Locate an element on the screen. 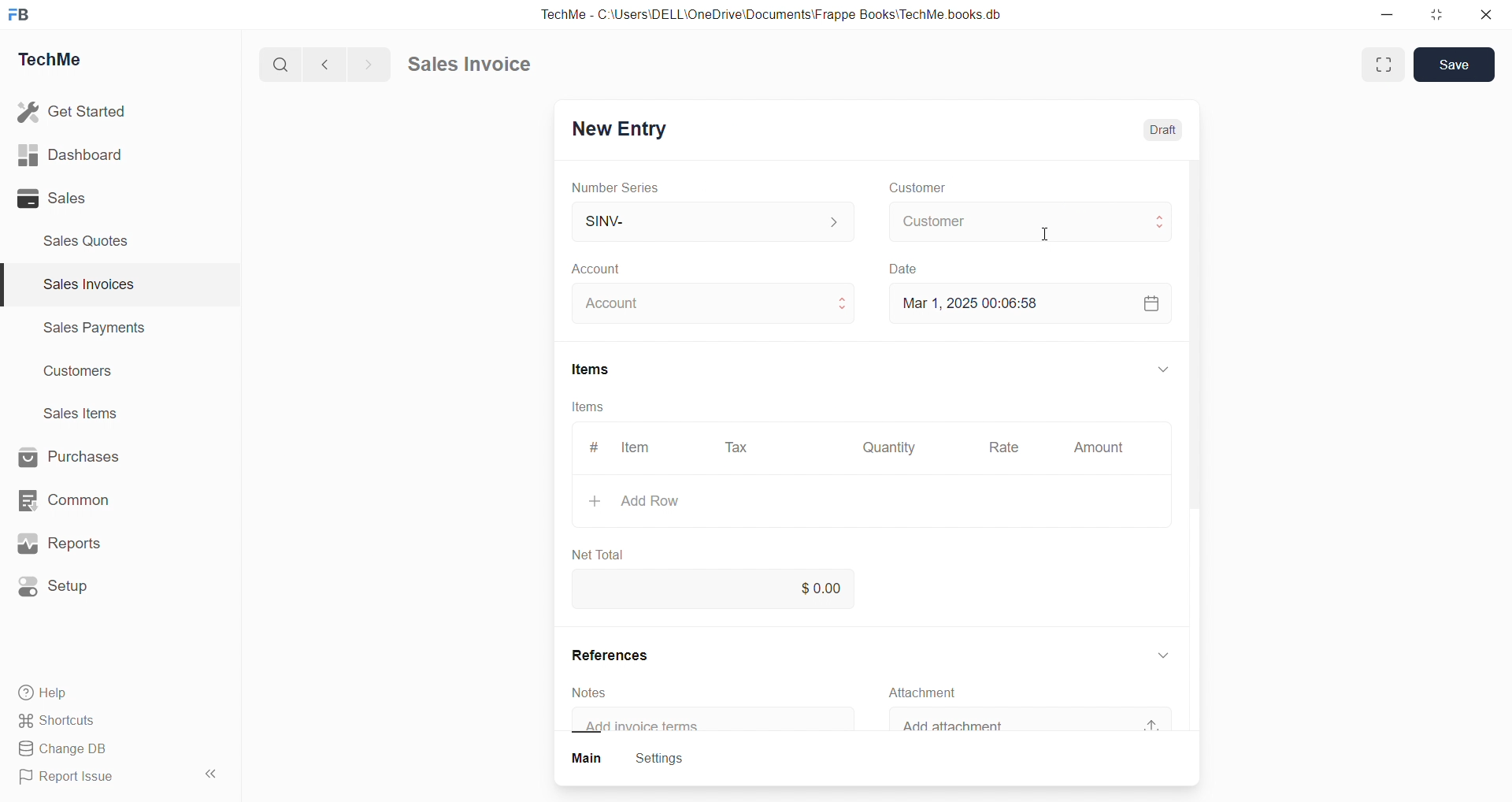 The height and width of the screenshot is (802, 1512). 8 Sales is located at coordinates (55, 198).